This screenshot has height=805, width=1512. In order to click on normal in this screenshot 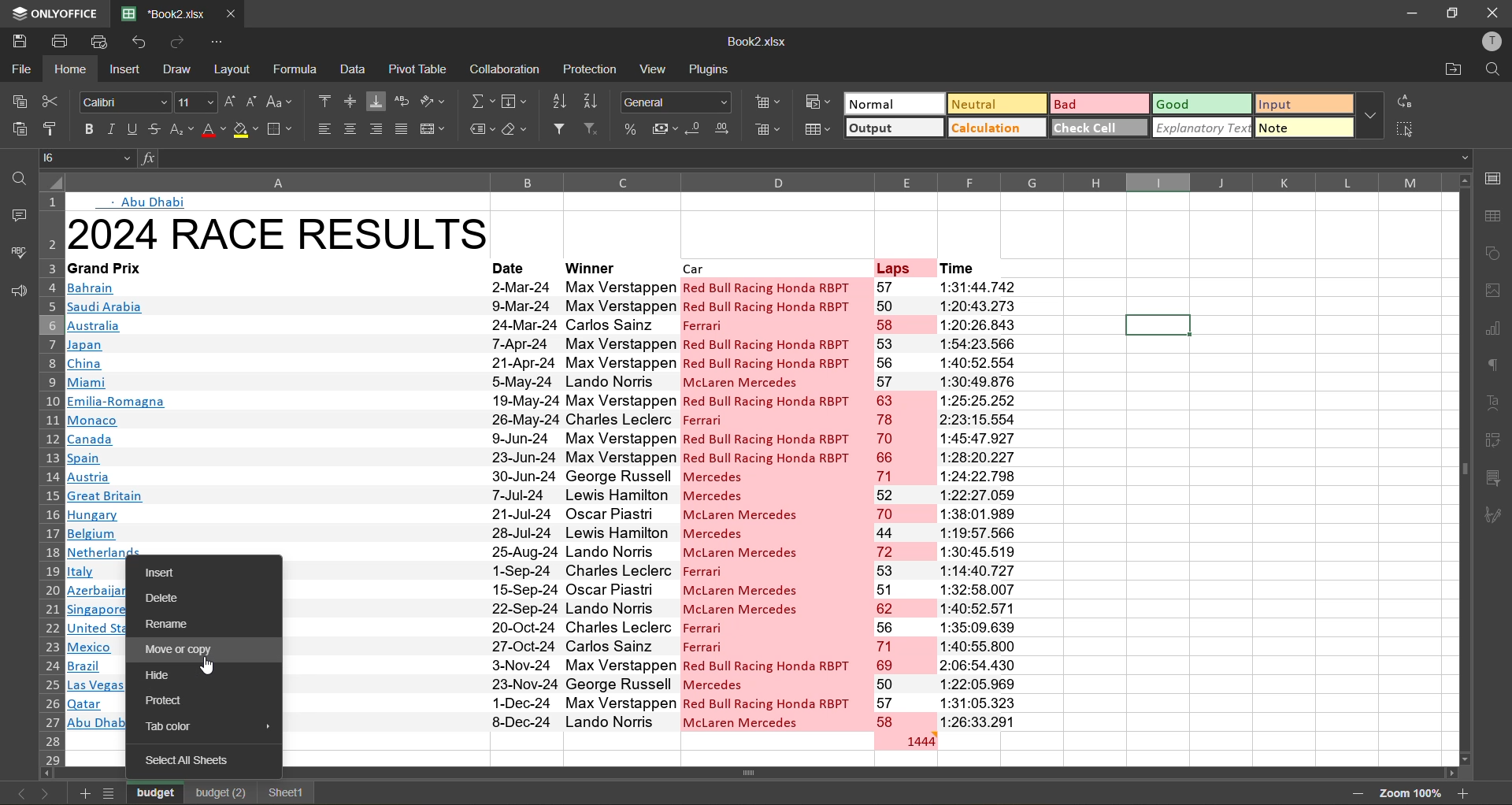, I will do `click(892, 103)`.